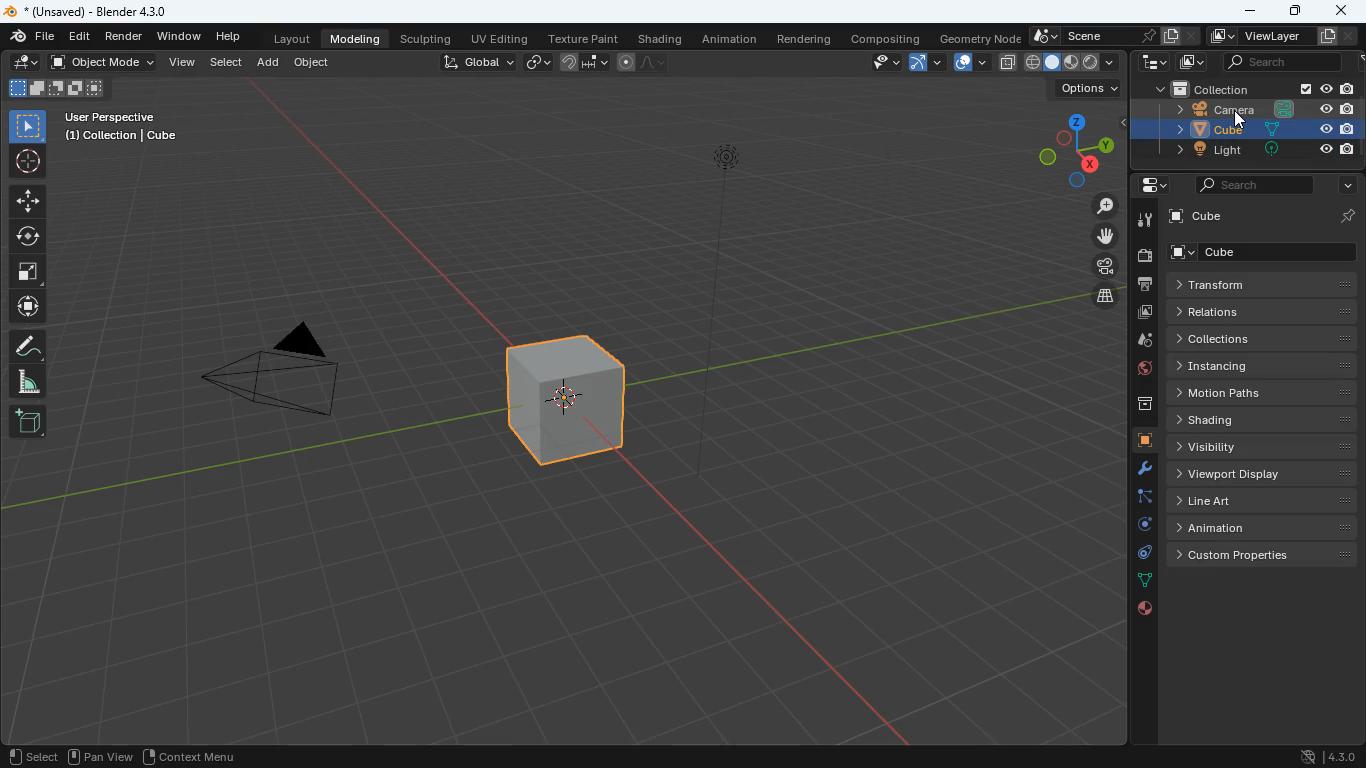  I want to click on animation, so click(1267, 527).